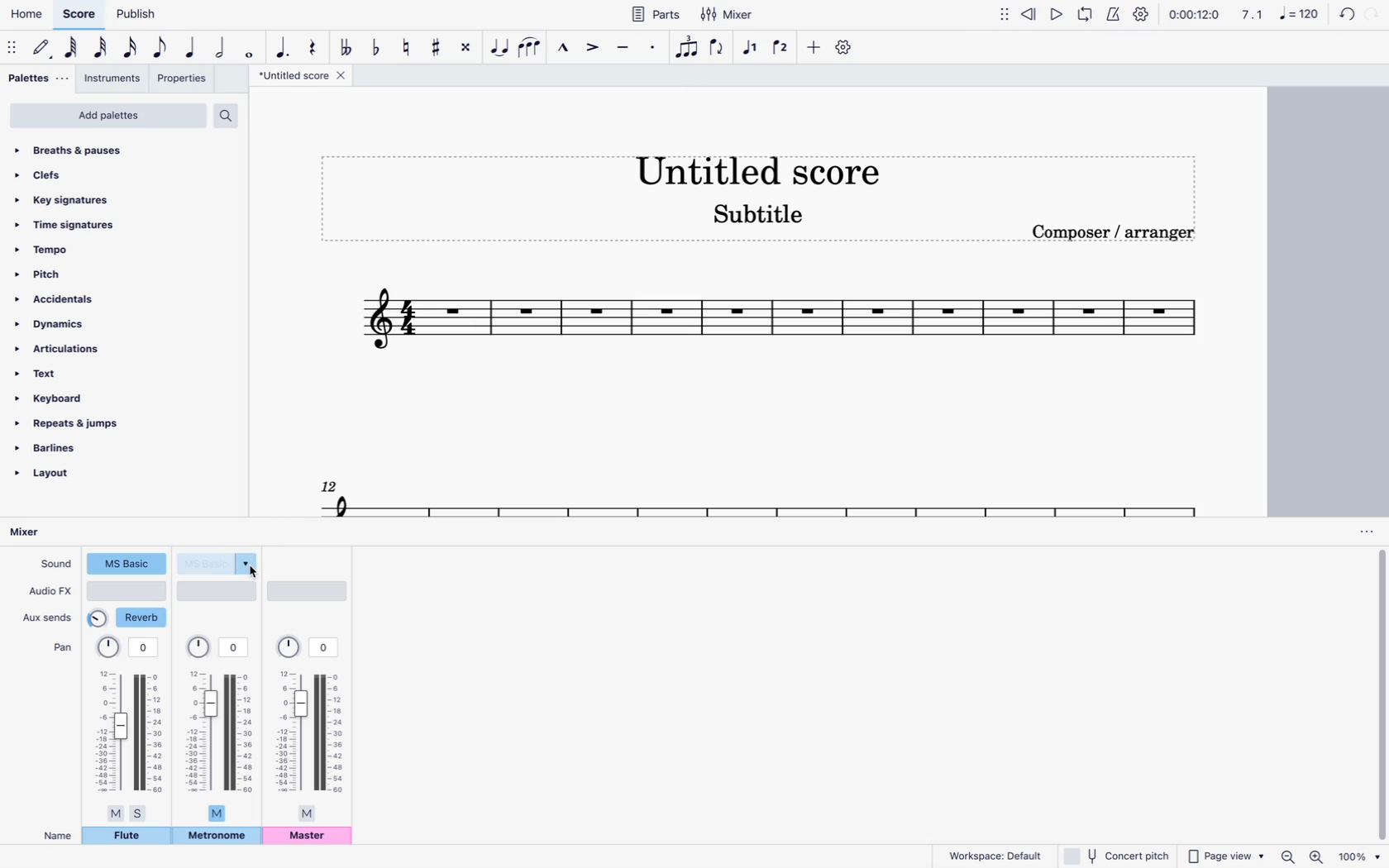  I want to click on name, so click(52, 835).